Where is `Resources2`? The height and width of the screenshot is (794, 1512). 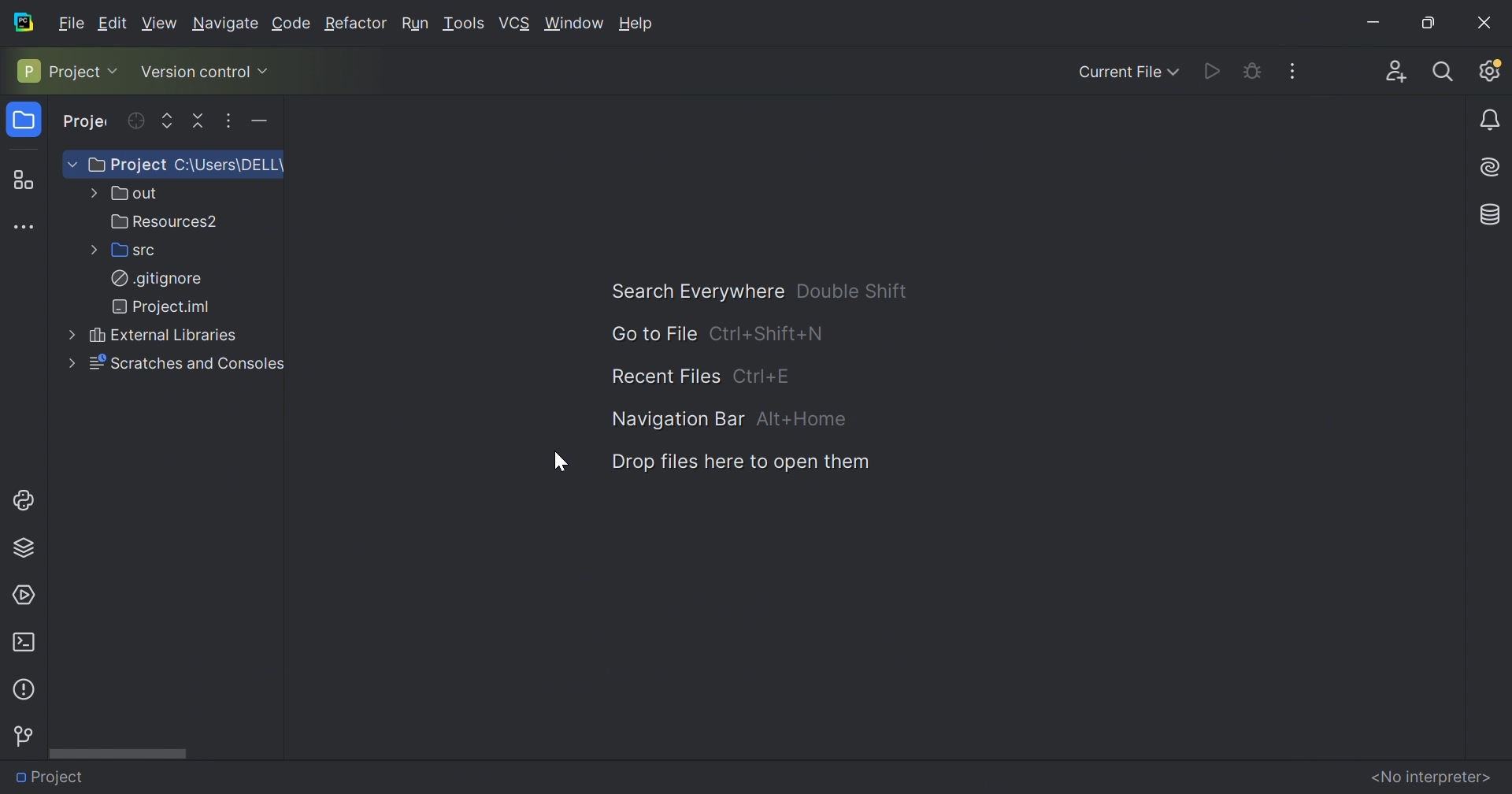 Resources2 is located at coordinates (163, 221).